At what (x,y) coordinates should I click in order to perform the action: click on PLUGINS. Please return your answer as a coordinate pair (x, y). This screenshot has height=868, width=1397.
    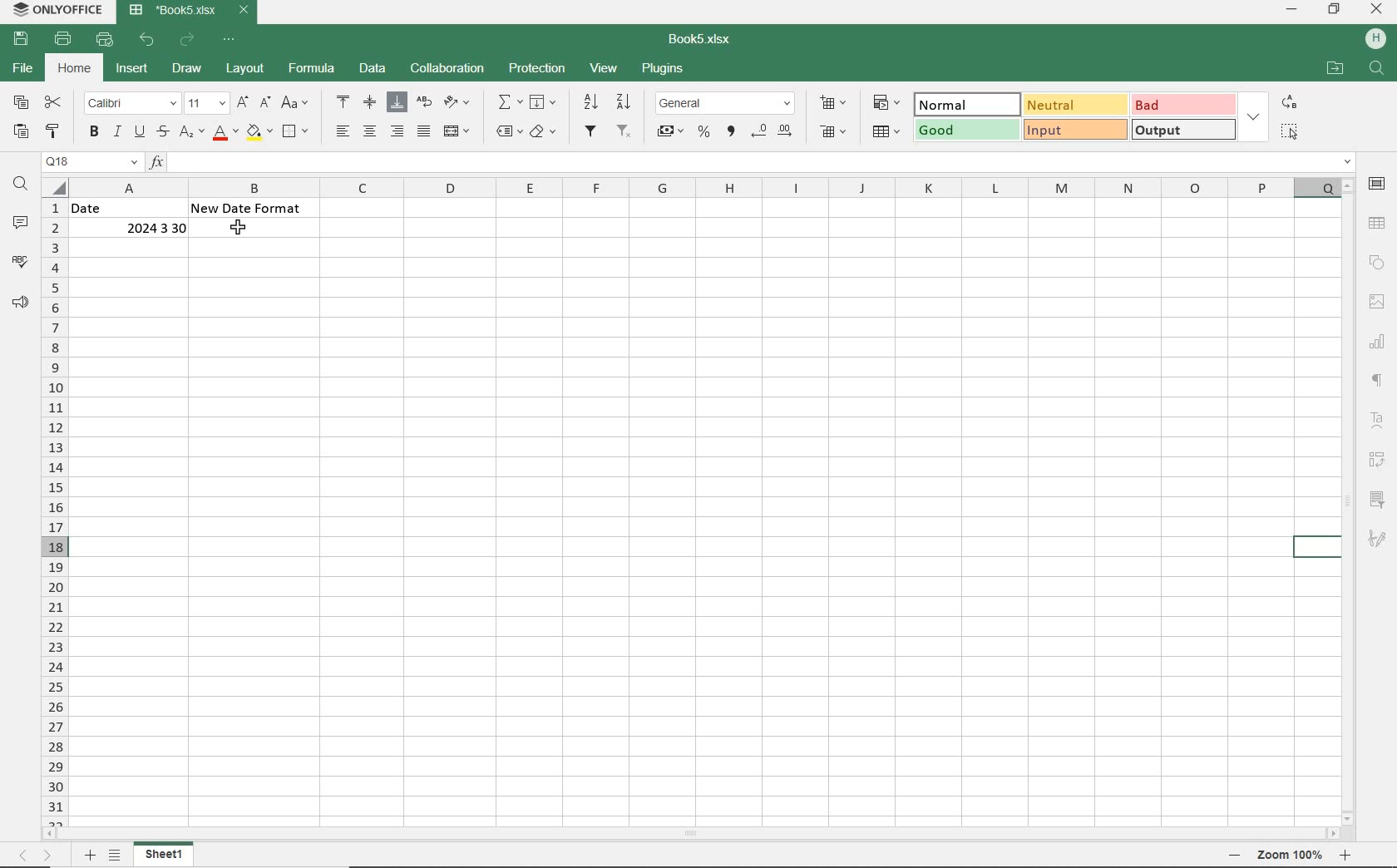
    Looking at the image, I should click on (662, 70).